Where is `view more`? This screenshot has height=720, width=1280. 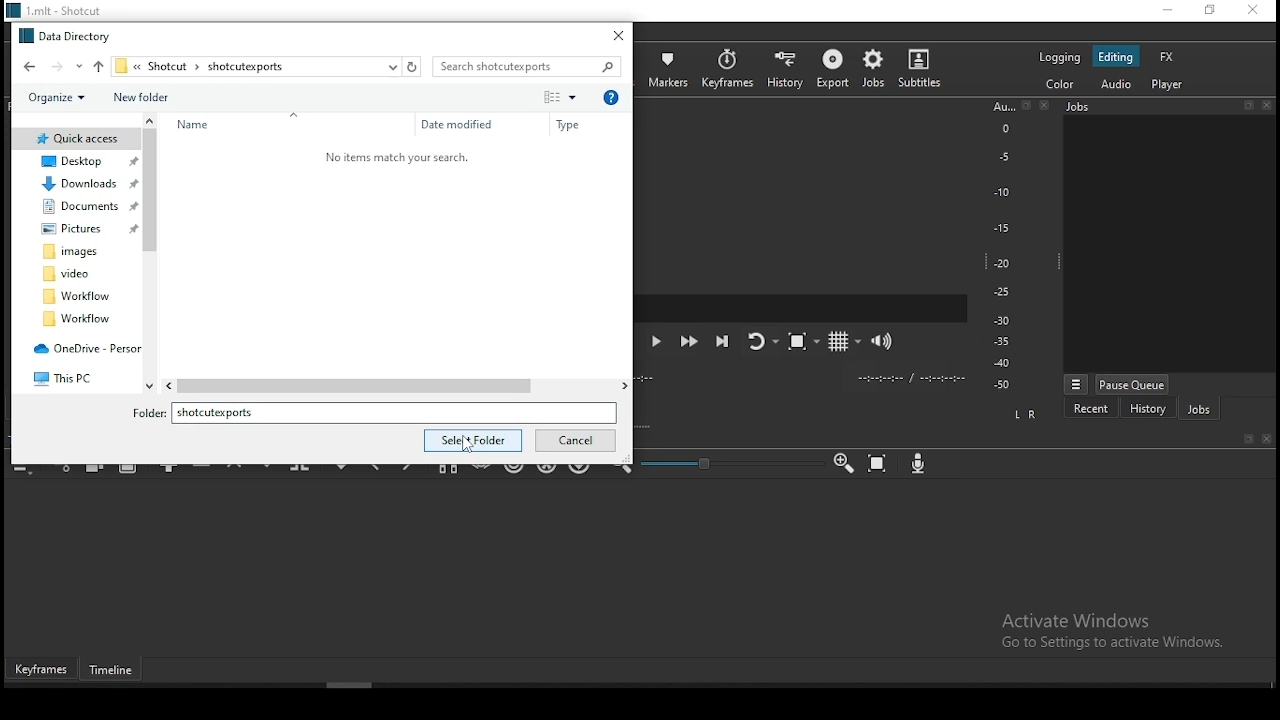 view more is located at coordinates (1075, 383).